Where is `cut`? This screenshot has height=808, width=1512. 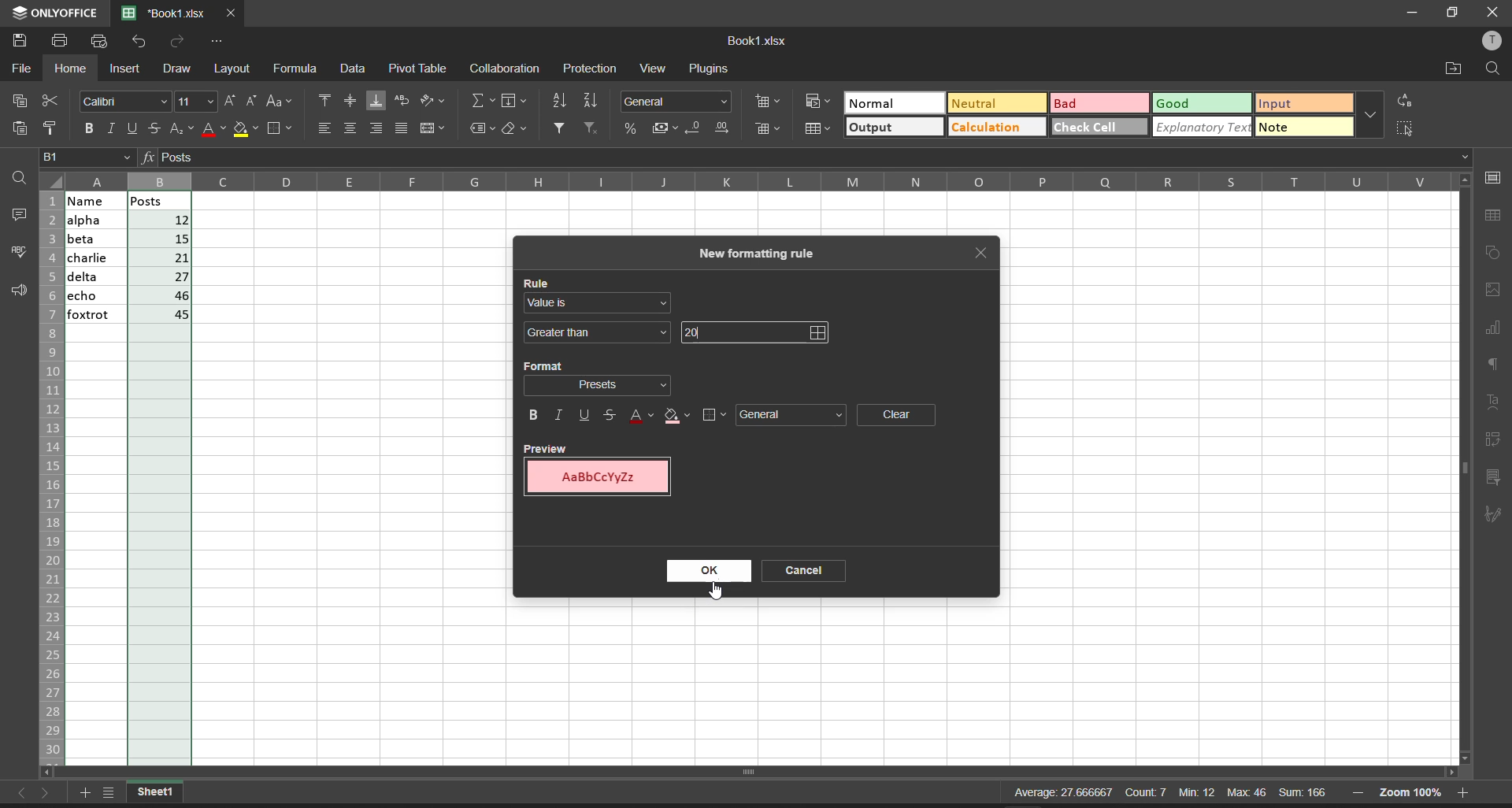
cut is located at coordinates (53, 102).